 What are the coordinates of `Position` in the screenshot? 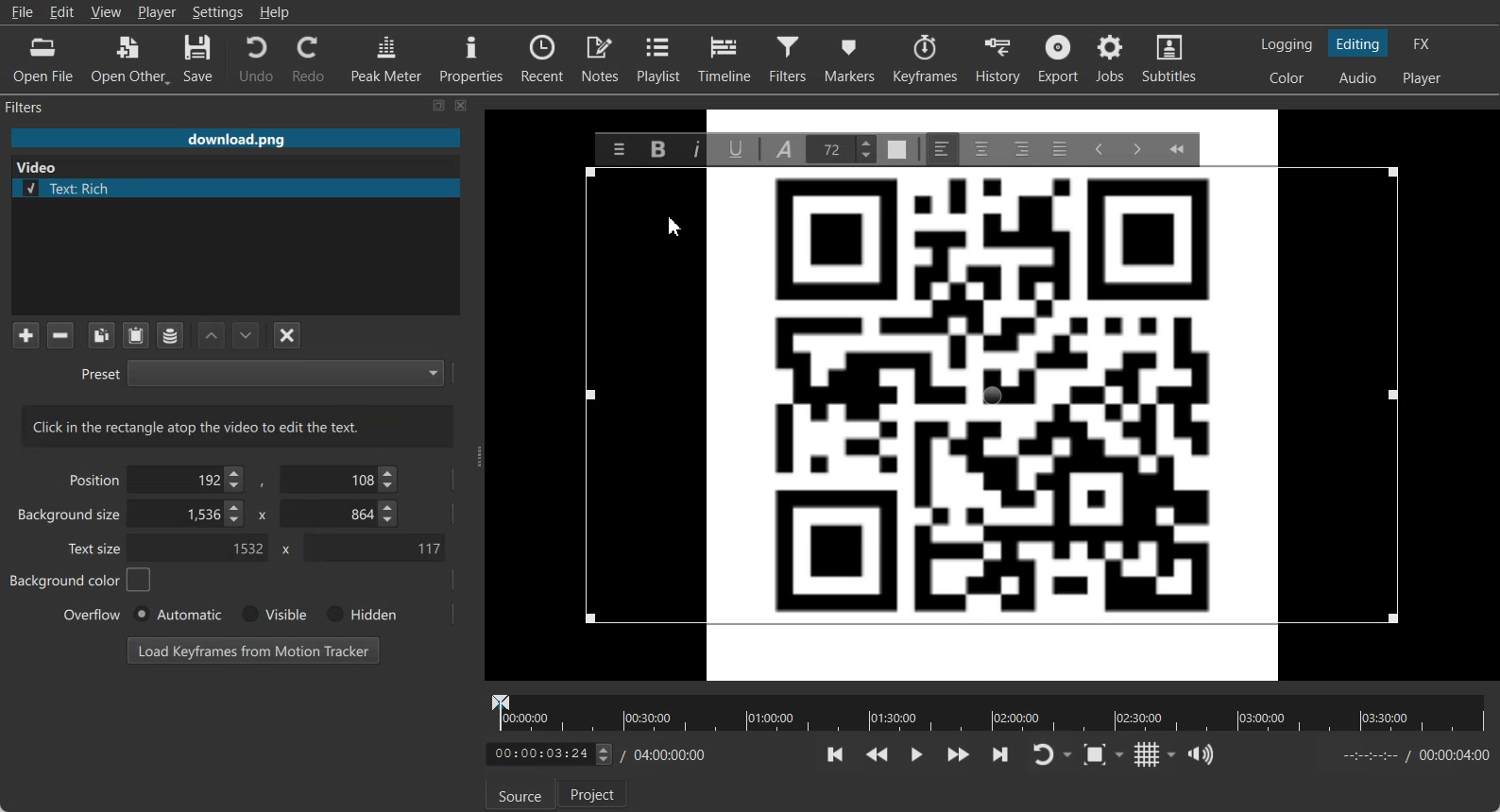 It's located at (91, 479).